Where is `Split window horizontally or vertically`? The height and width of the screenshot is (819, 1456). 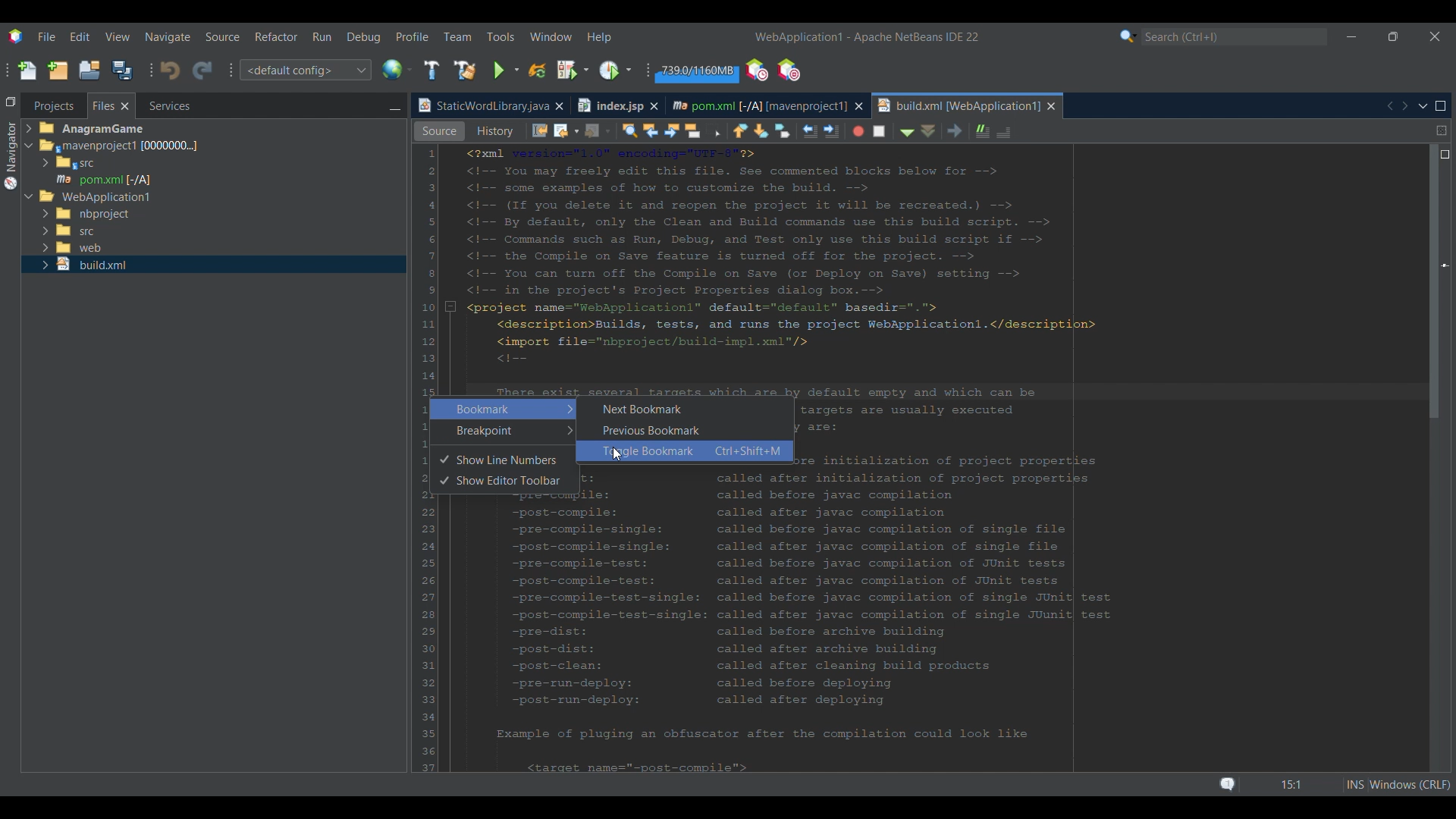 Split window horizontally or vertically is located at coordinates (1442, 130).